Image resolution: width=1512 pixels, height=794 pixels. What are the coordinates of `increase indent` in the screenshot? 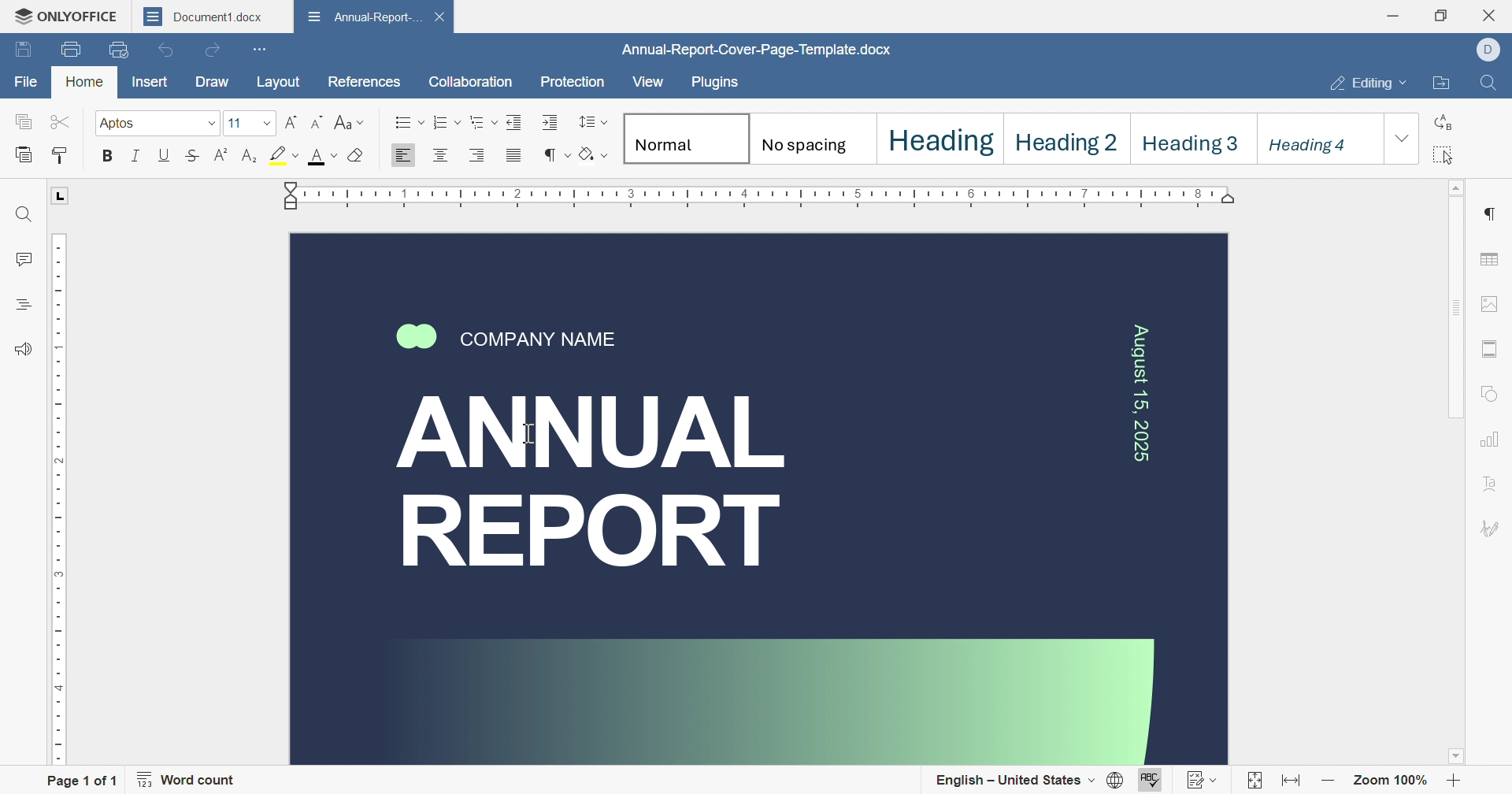 It's located at (550, 121).